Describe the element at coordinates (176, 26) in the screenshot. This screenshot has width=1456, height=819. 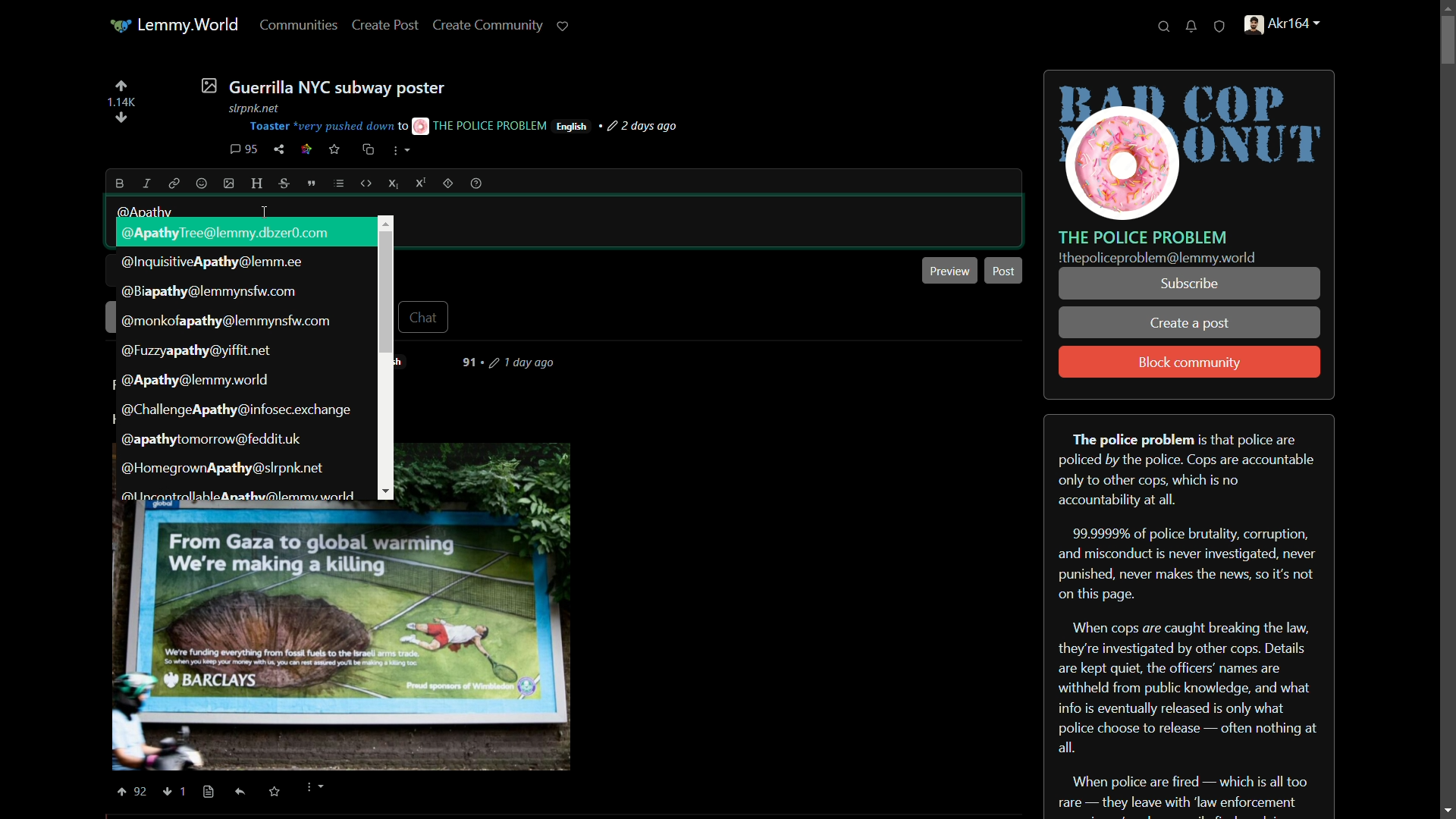
I see `lemmy world ` at that location.